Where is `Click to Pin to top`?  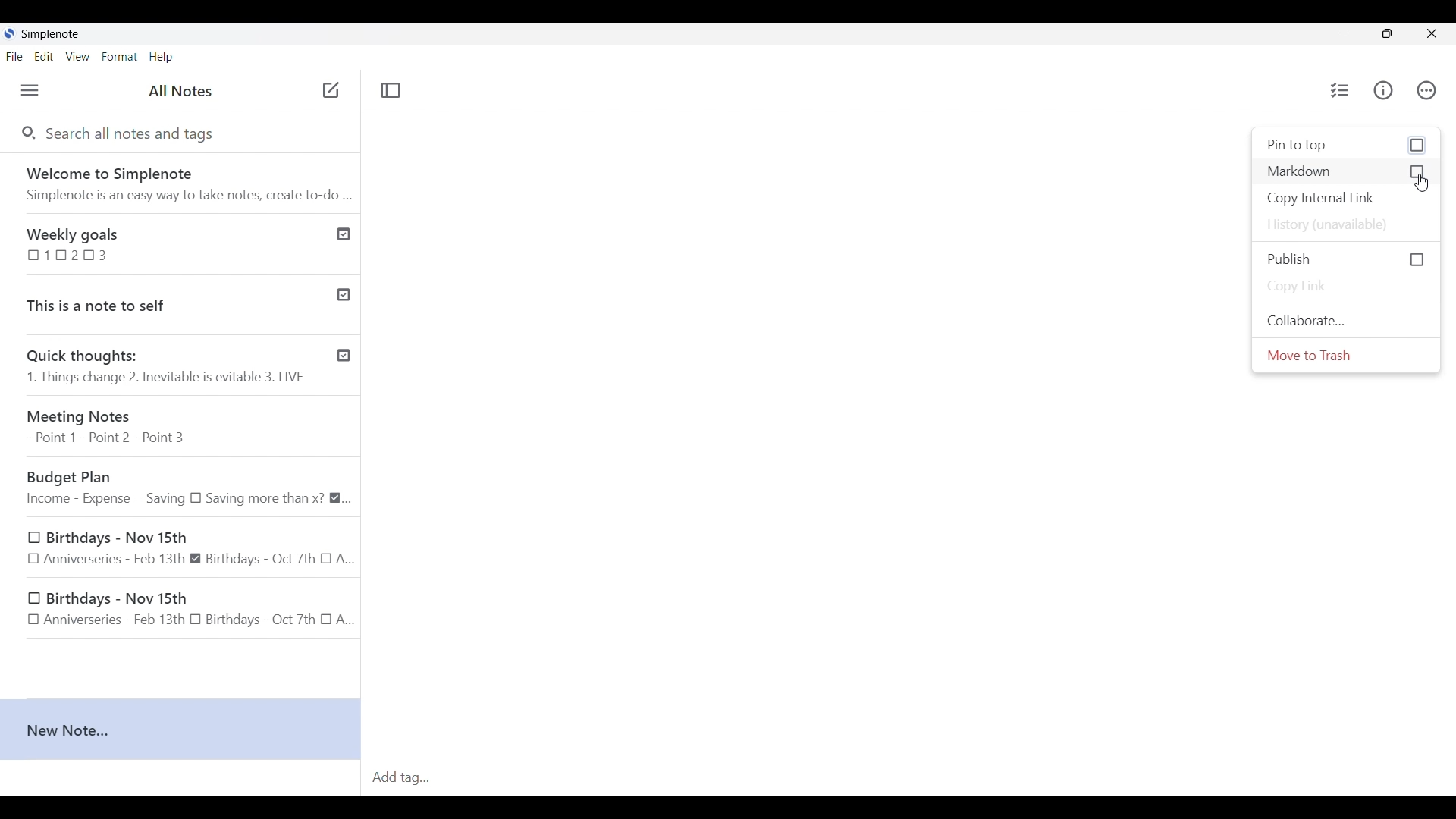
Click to Pin to top is located at coordinates (1346, 146).